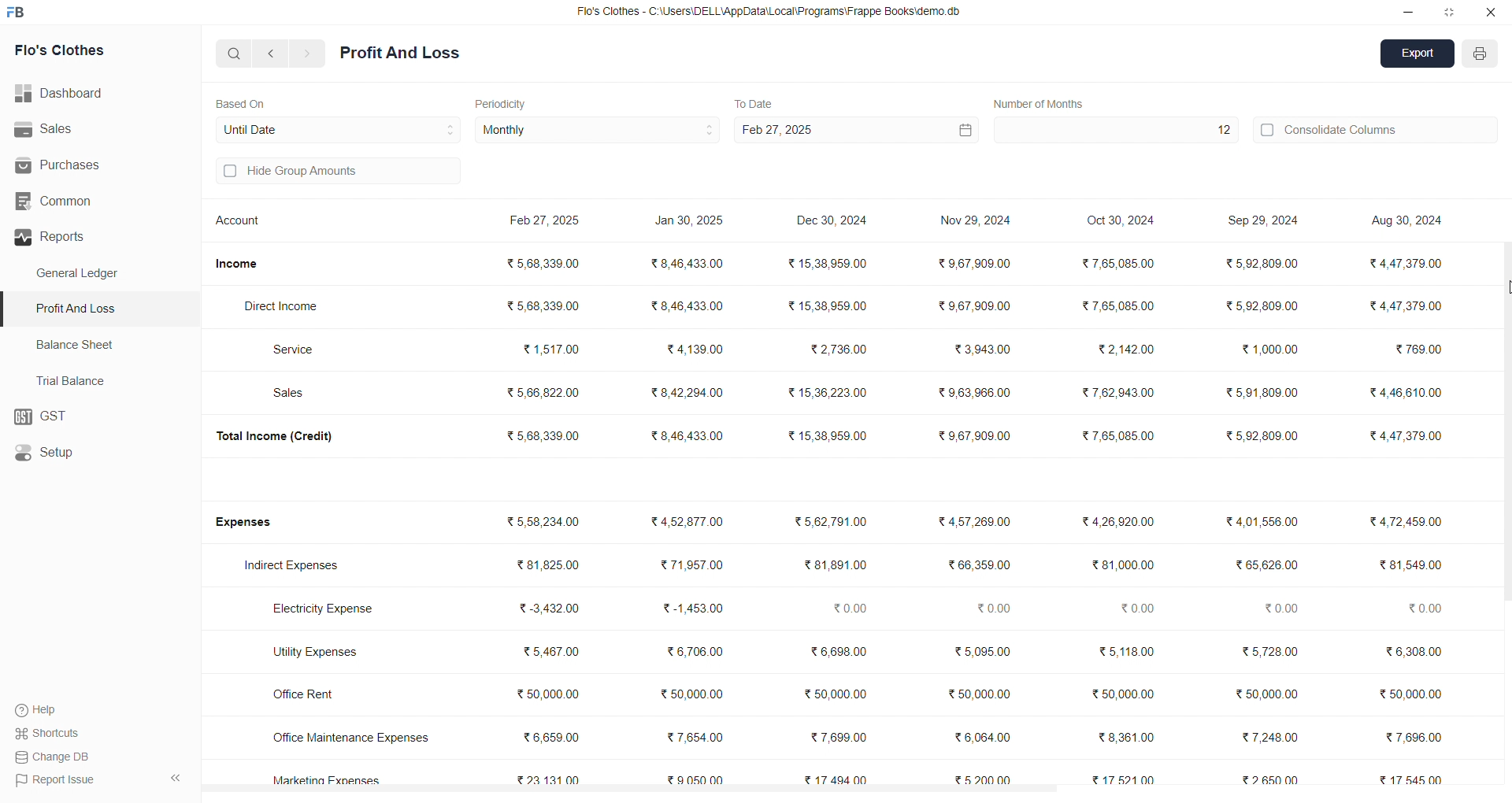 This screenshot has width=1512, height=803. I want to click on ₹1752100, so click(1118, 779).